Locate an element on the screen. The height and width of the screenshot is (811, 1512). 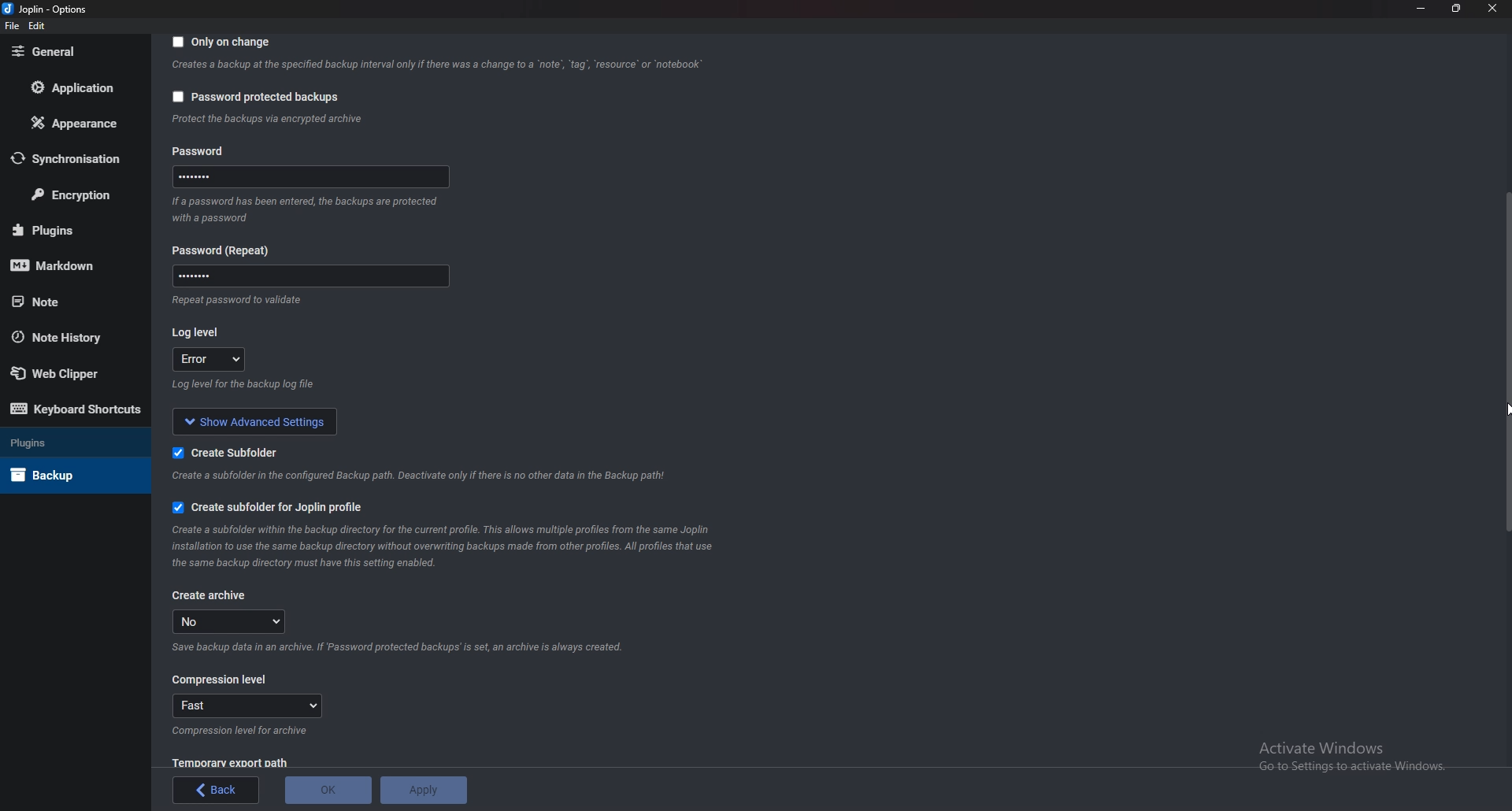
info on log level is located at coordinates (245, 385).